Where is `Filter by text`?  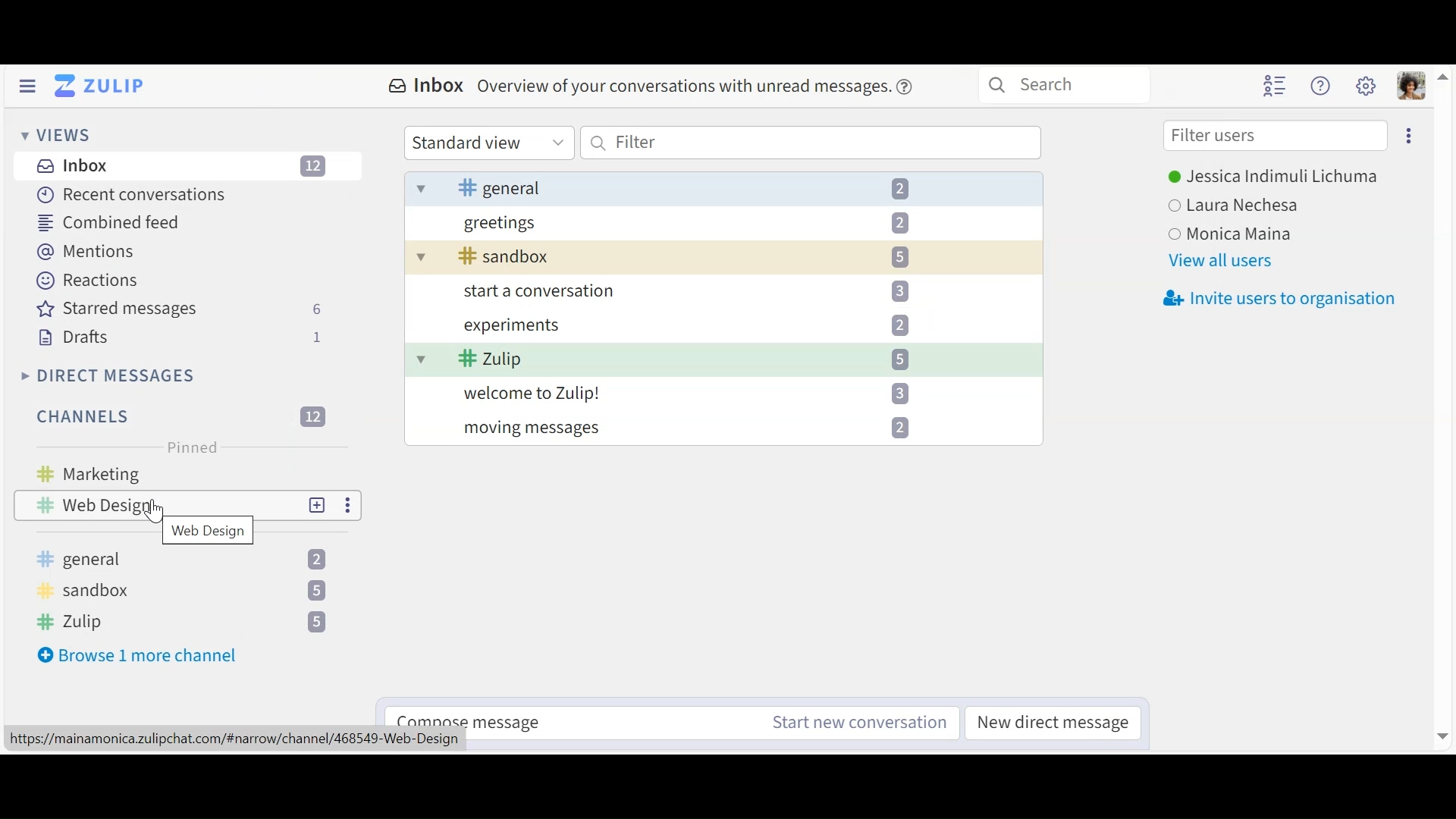 Filter by text is located at coordinates (812, 141).